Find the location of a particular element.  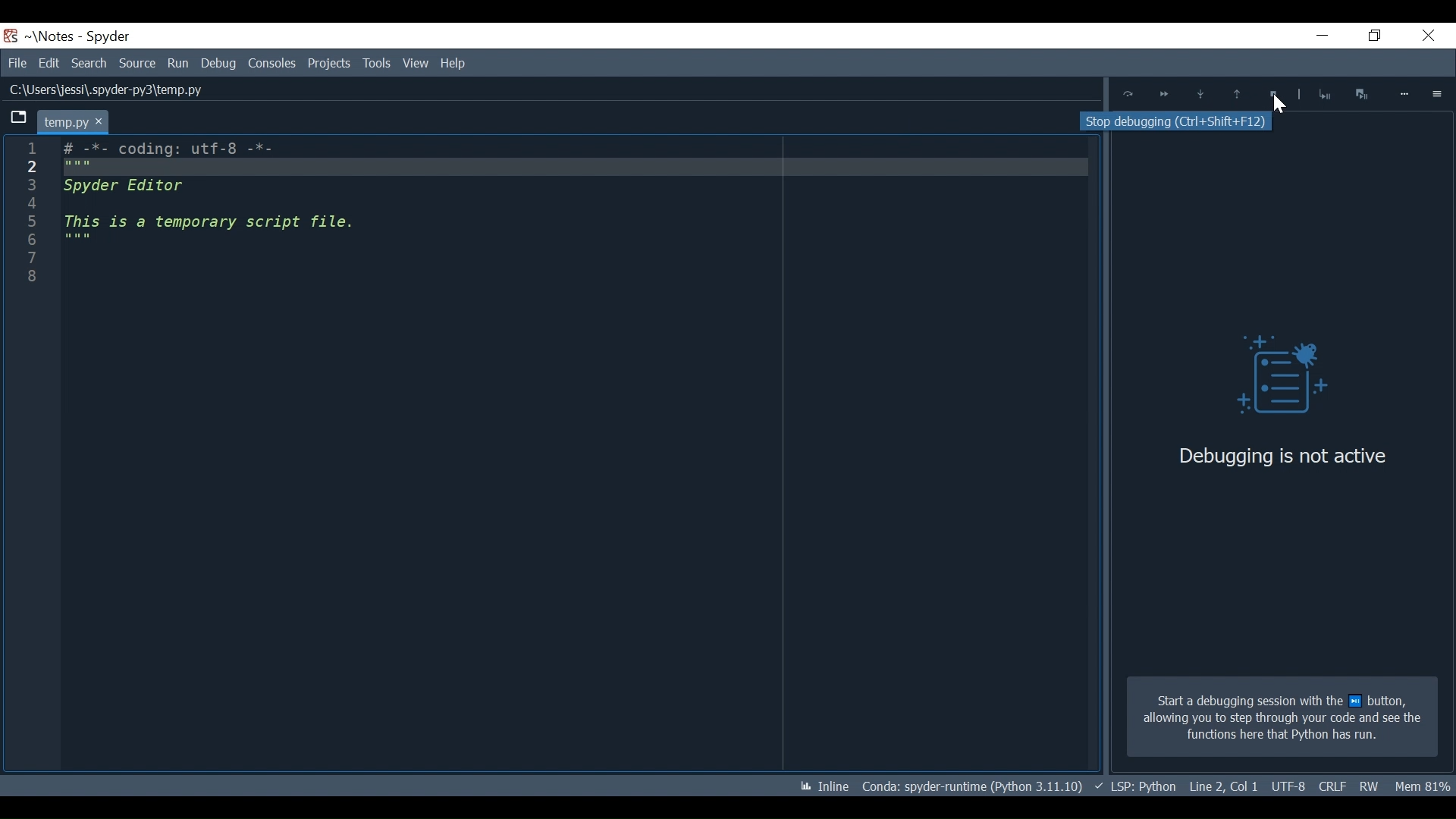

Cursor is located at coordinates (1279, 105).